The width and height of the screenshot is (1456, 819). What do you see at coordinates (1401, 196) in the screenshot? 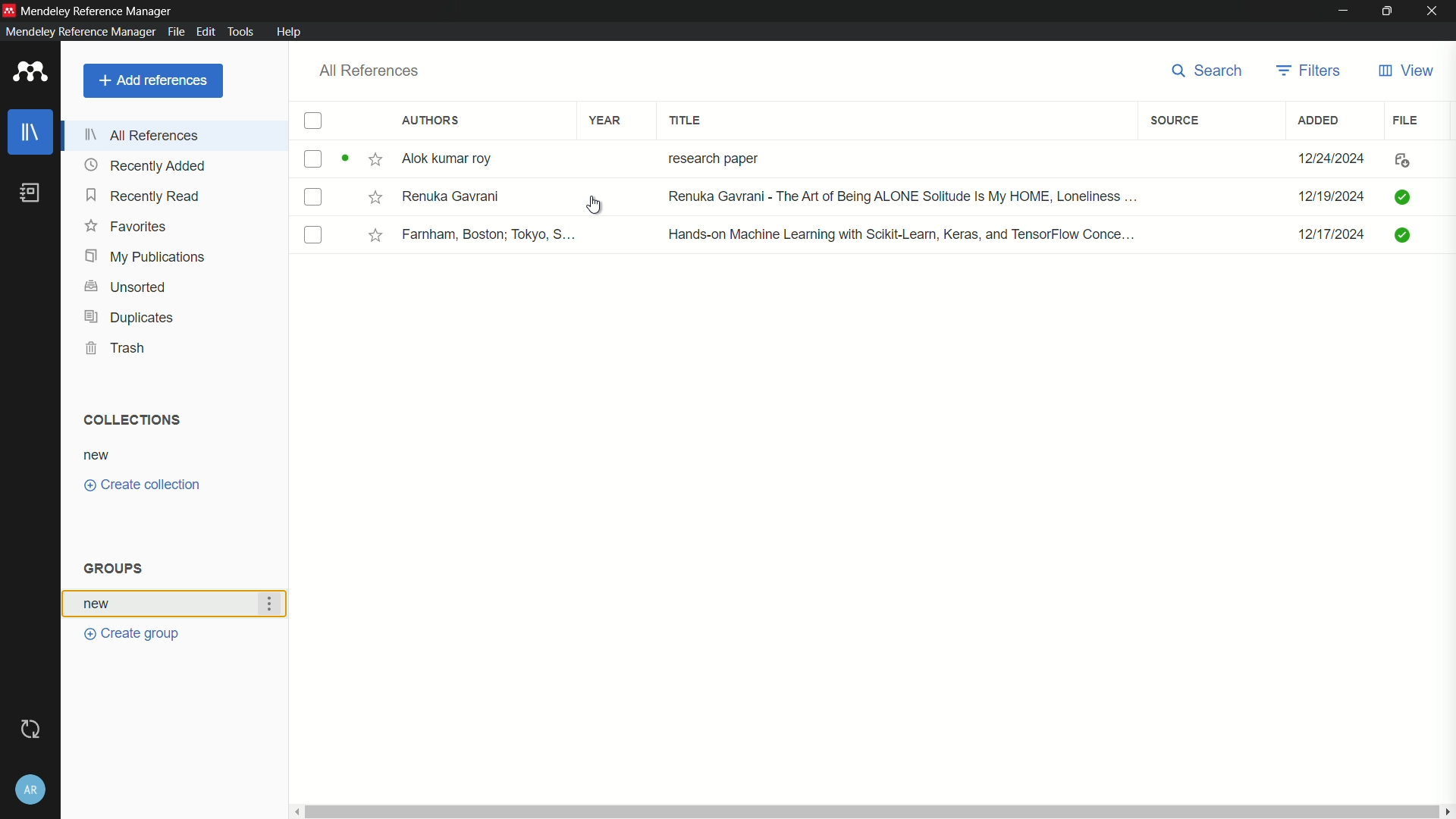
I see `Checked` at bounding box center [1401, 196].